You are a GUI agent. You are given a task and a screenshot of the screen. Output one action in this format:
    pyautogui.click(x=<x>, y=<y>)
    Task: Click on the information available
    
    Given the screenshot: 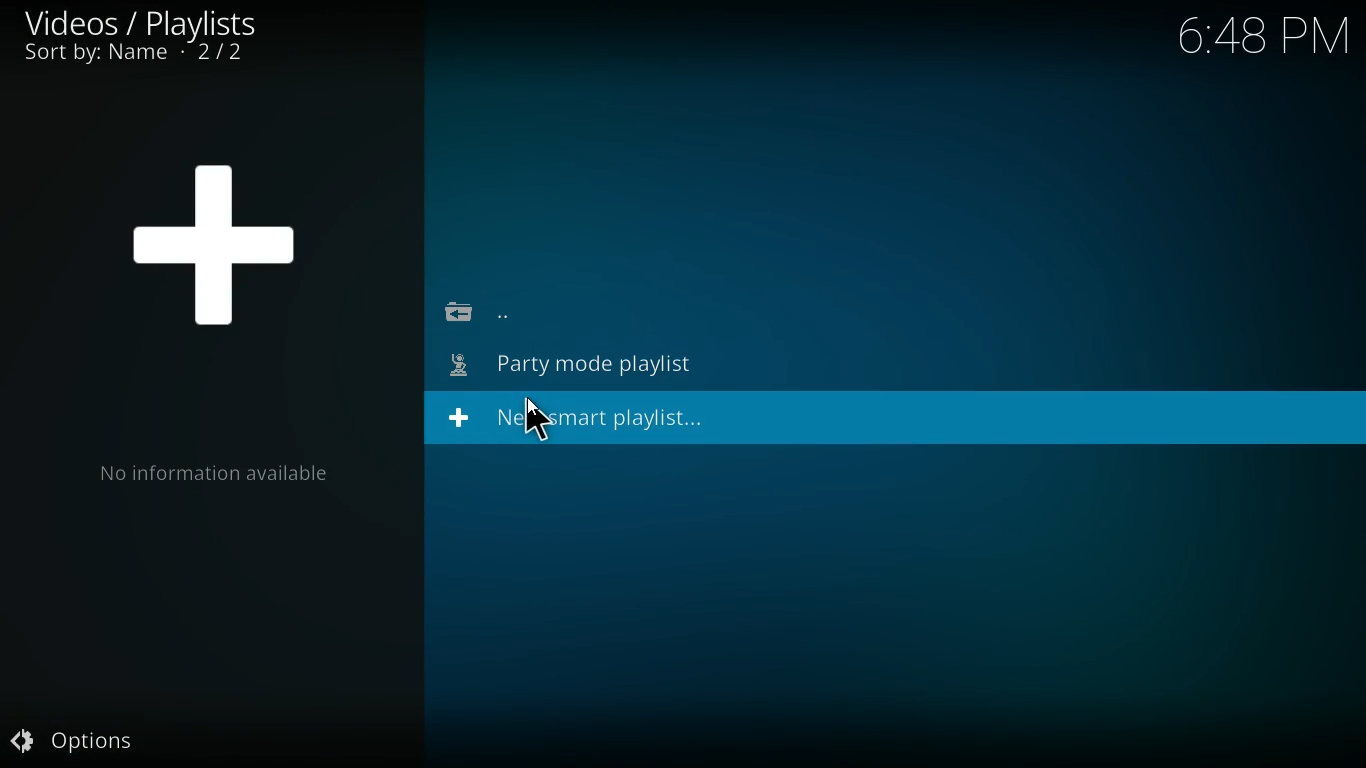 What is the action you would take?
    pyautogui.click(x=214, y=476)
    